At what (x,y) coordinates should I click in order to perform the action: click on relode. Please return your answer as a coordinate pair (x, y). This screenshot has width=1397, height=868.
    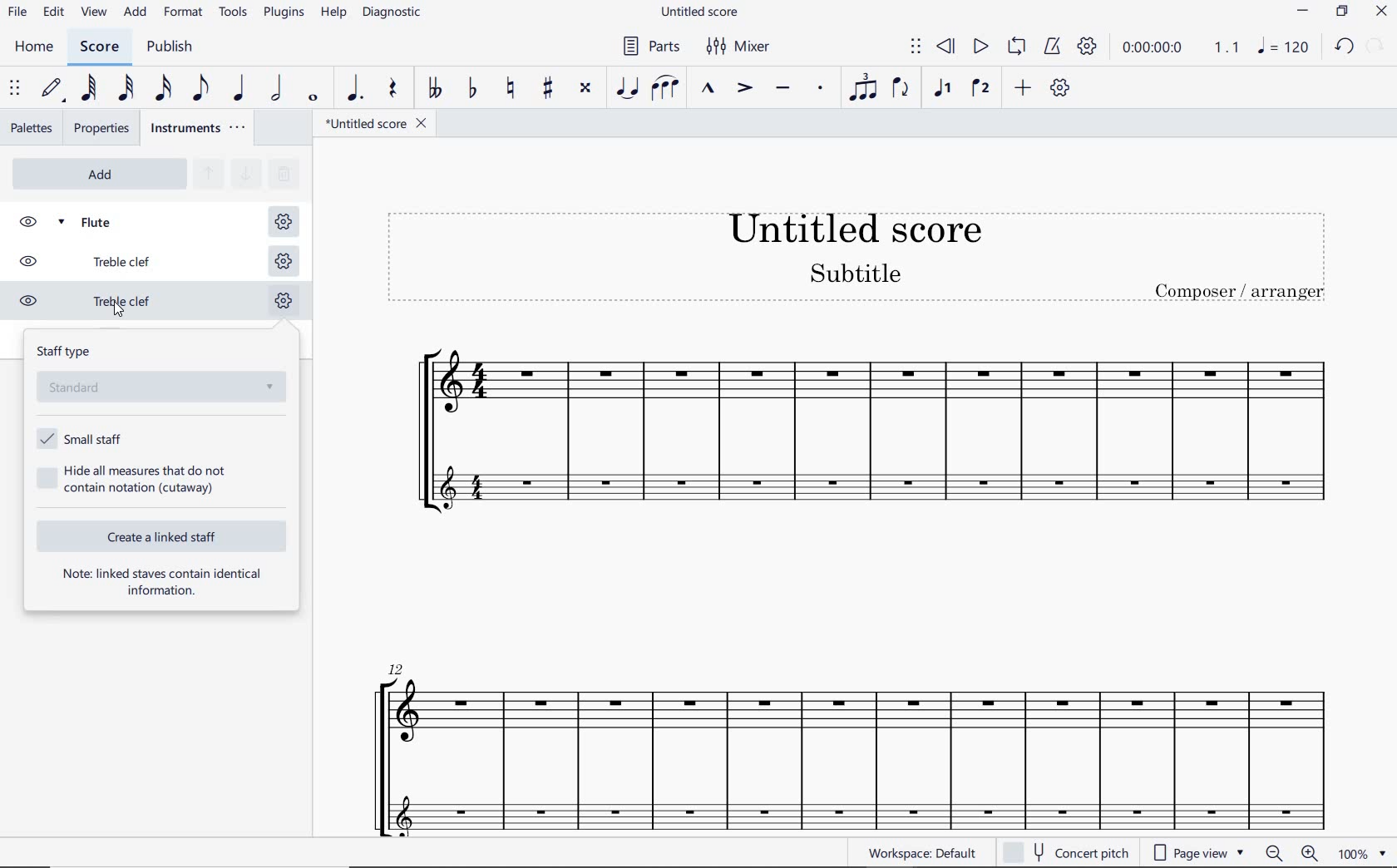
    Looking at the image, I should click on (1376, 44).